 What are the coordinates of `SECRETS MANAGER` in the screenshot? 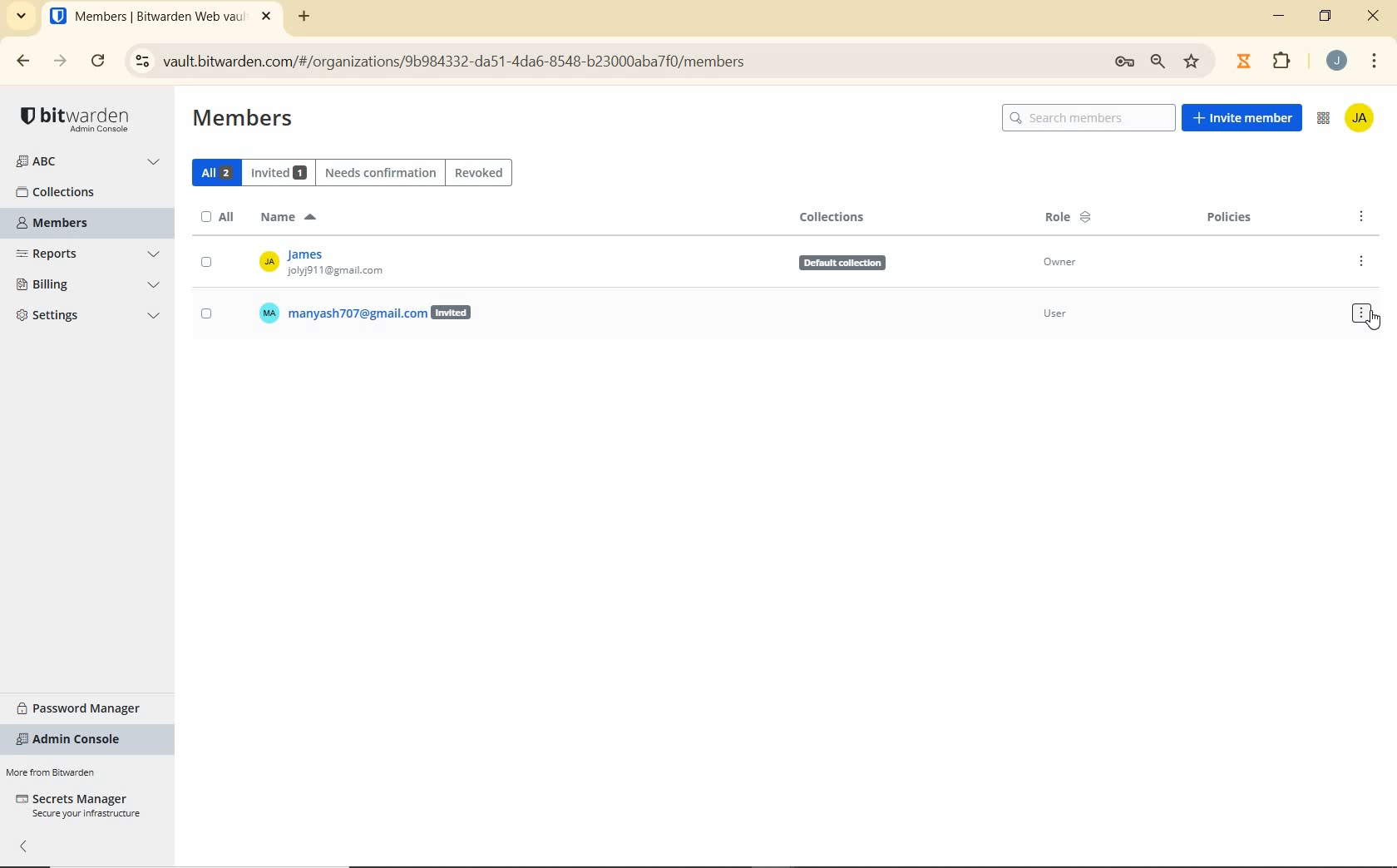 It's located at (77, 806).